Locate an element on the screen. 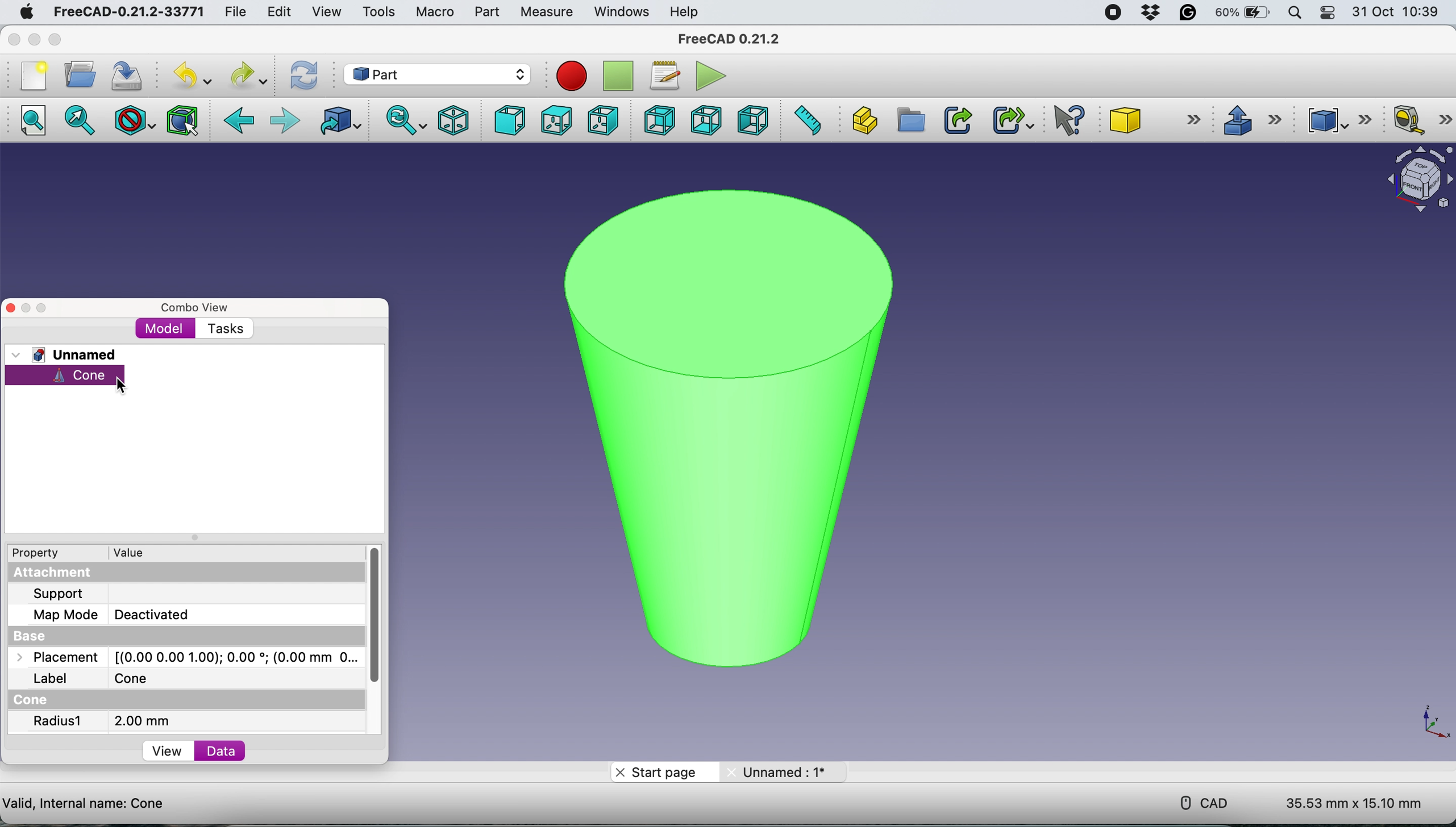 This screenshot has width=1456, height=827. map mode: Deactivated is located at coordinates (124, 615).